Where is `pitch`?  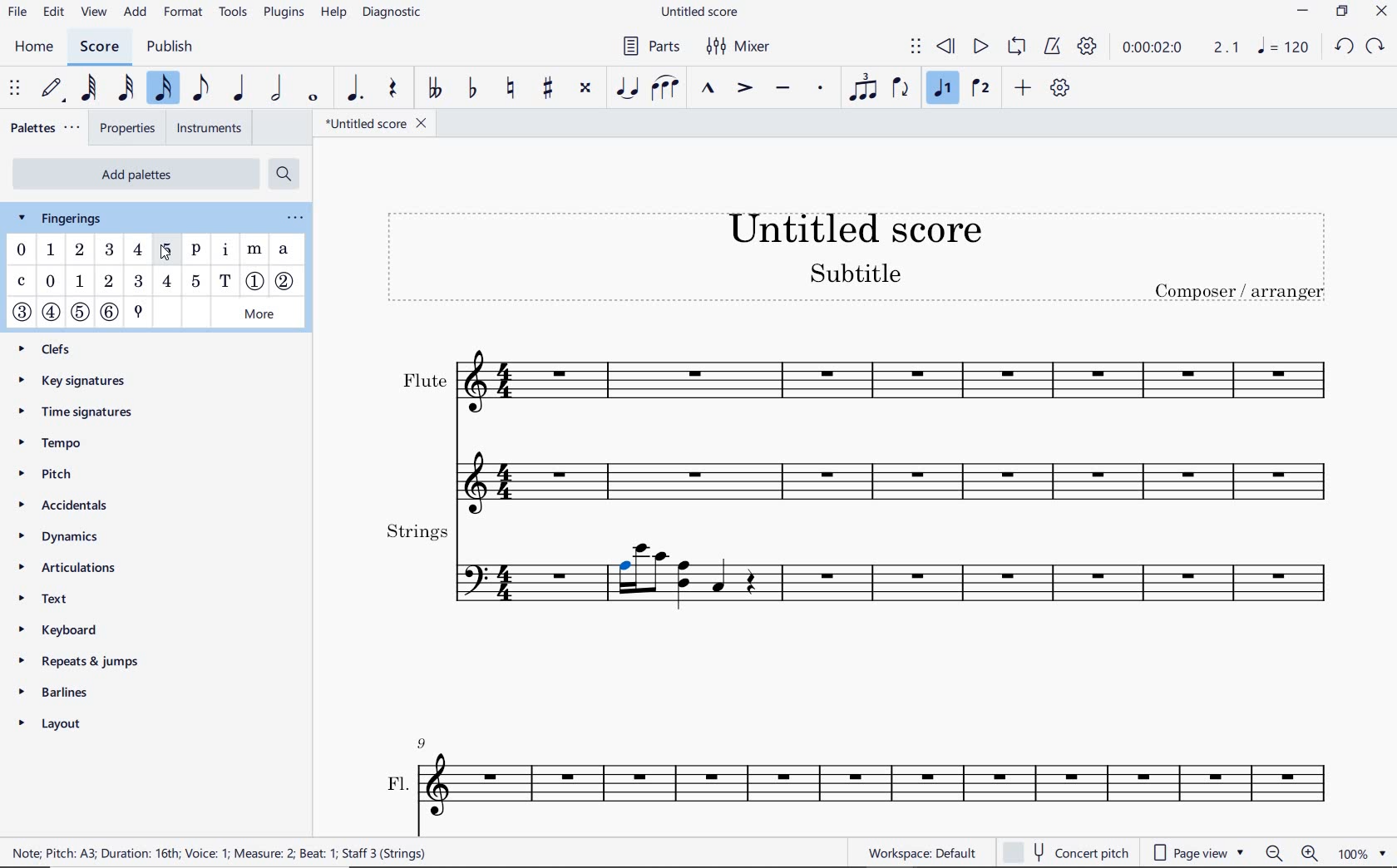 pitch is located at coordinates (62, 476).